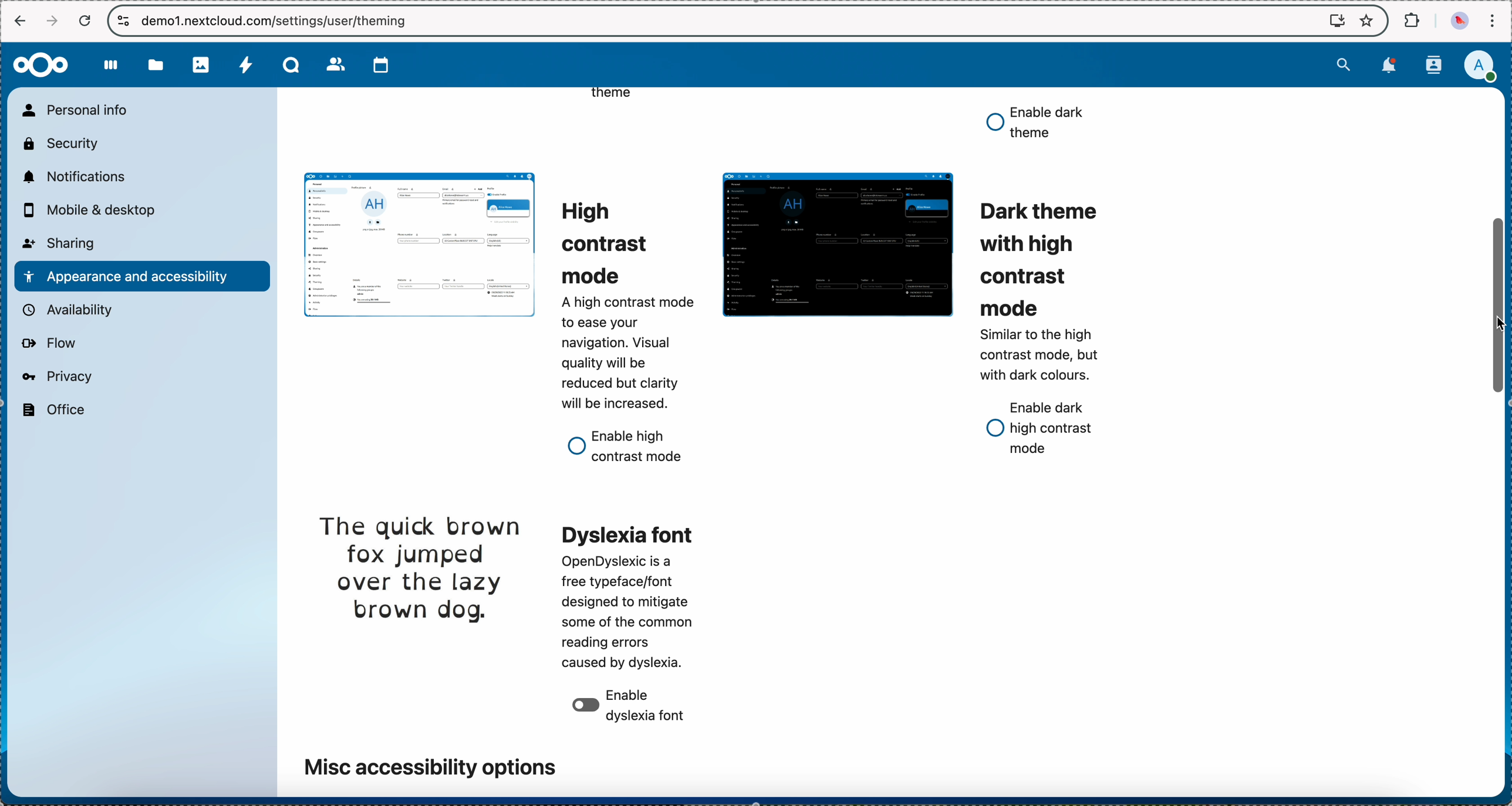 The width and height of the screenshot is (1512, 806). What do you see at coordinates (112, 72) in the screenshot?
I see `dashboard` at bounding box center [112, 72].